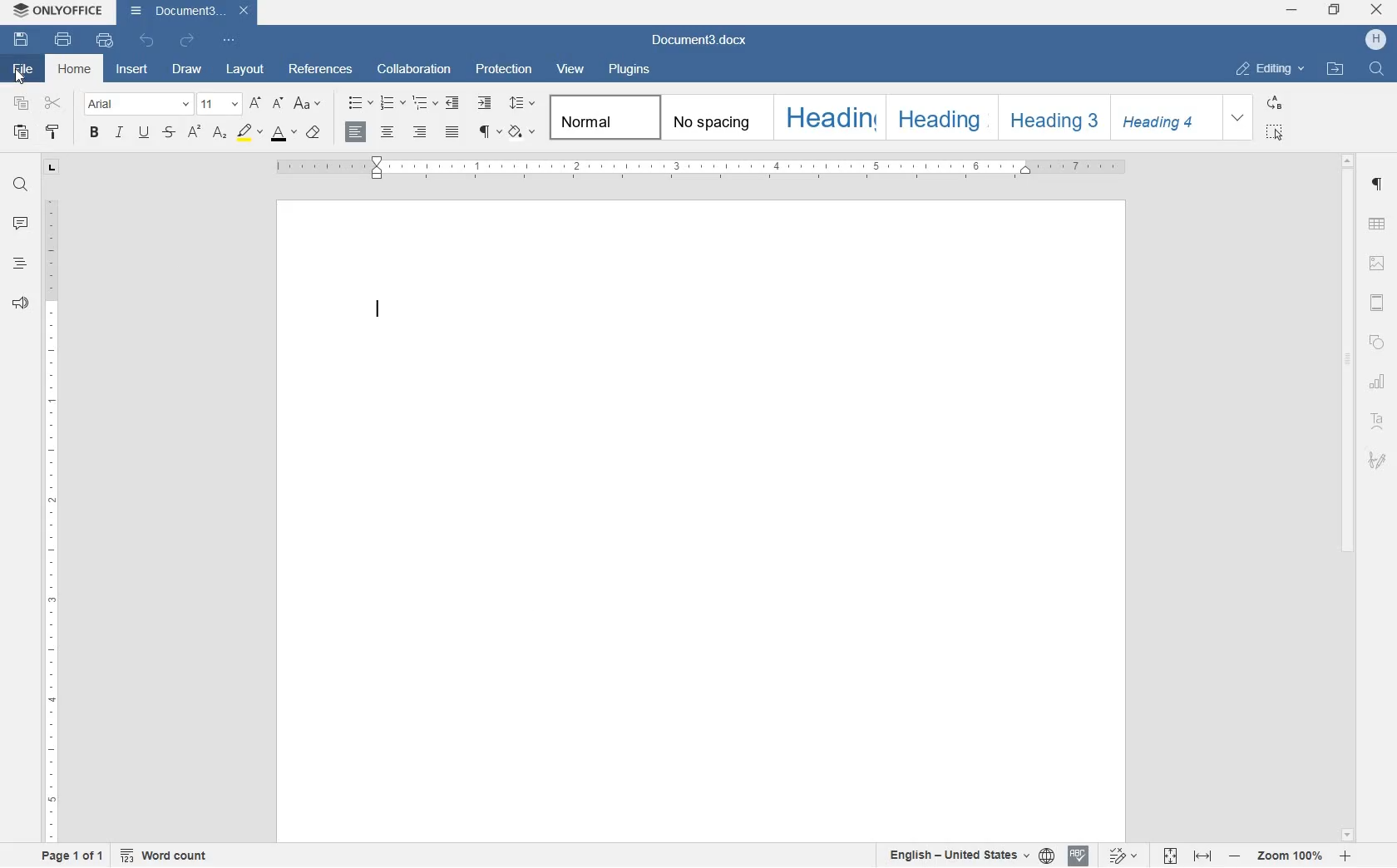 The width and height of the screenshot is (1397, 868). What do you see at coordinates (1334, 70) in the screenshot?
I see `open file location` at bounding box center [1334, 70].